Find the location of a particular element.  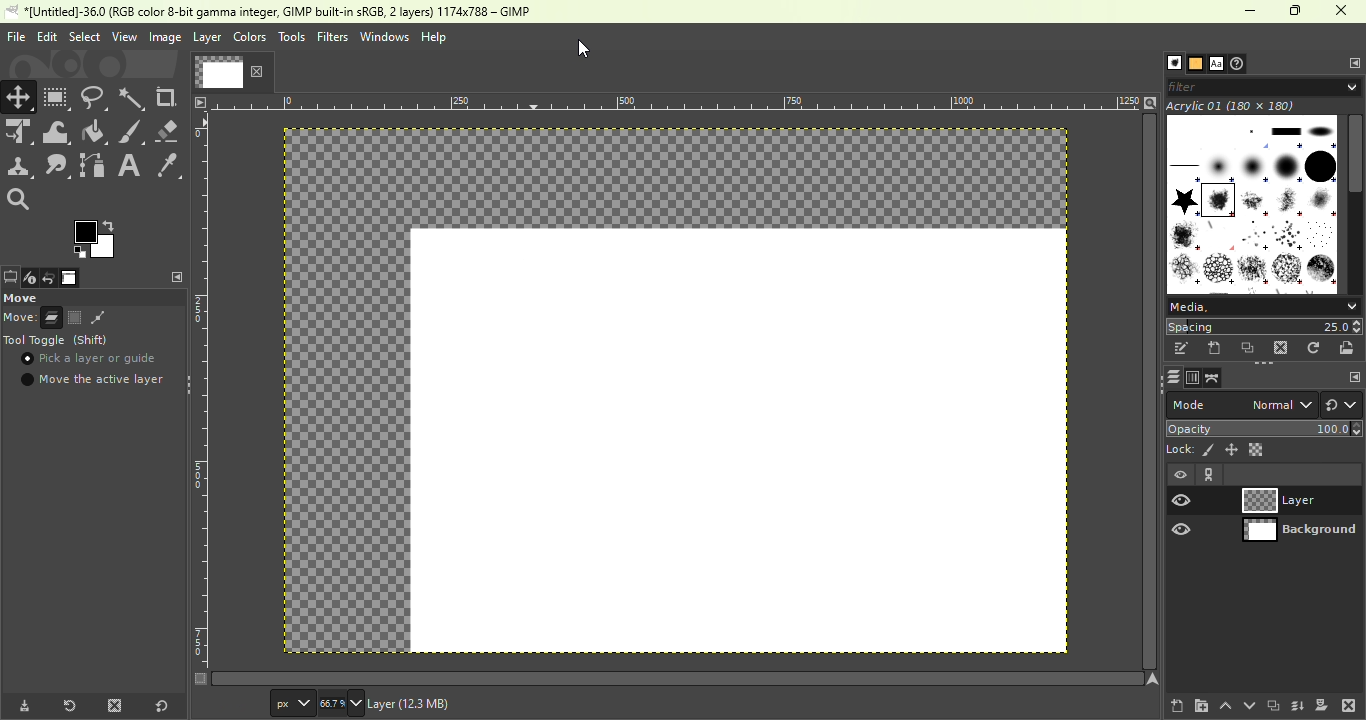

Restore tool preset is located at coordinates (67, 706).